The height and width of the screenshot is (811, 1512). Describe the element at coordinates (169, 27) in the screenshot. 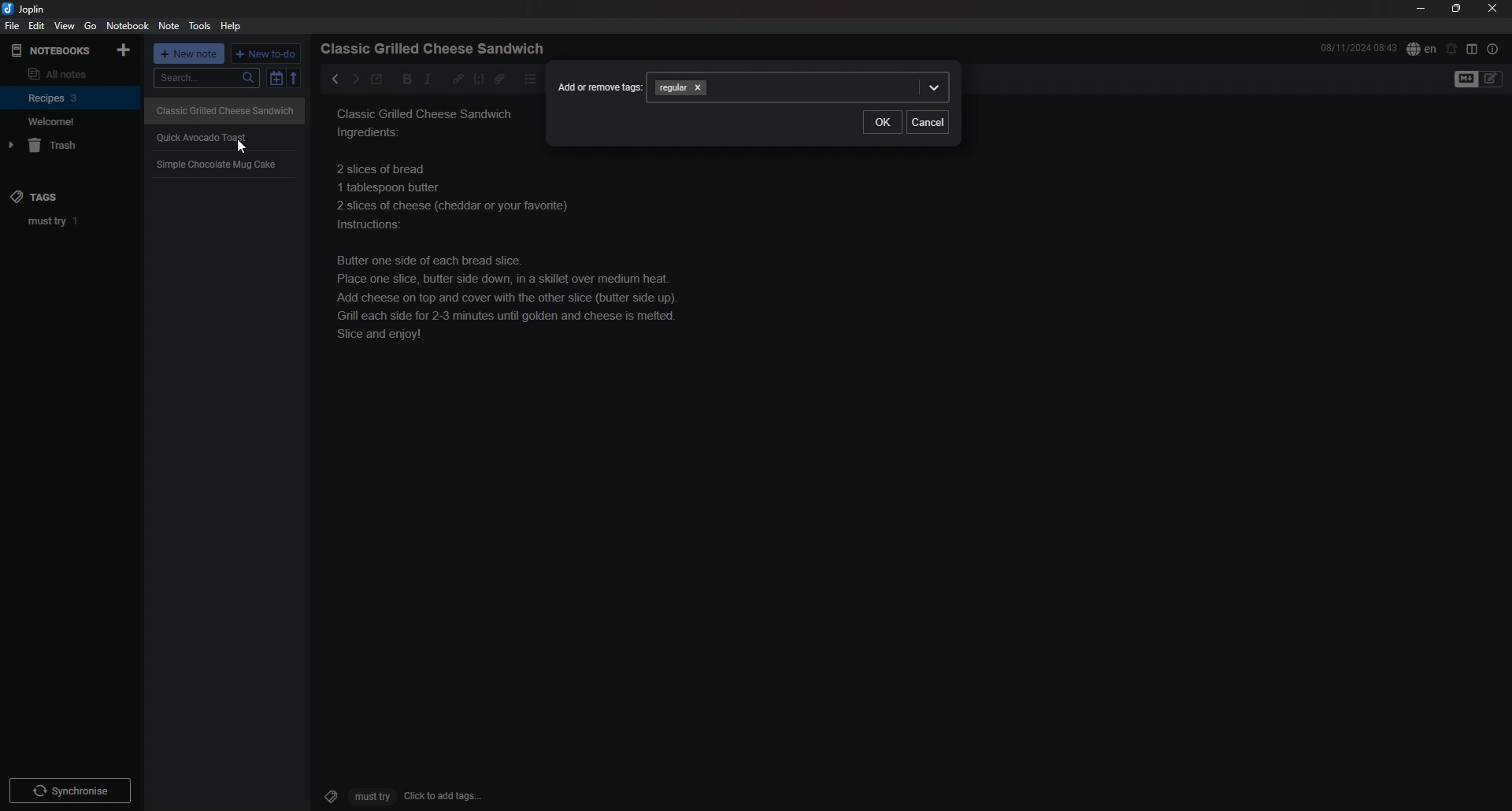

I see `note` at that location.